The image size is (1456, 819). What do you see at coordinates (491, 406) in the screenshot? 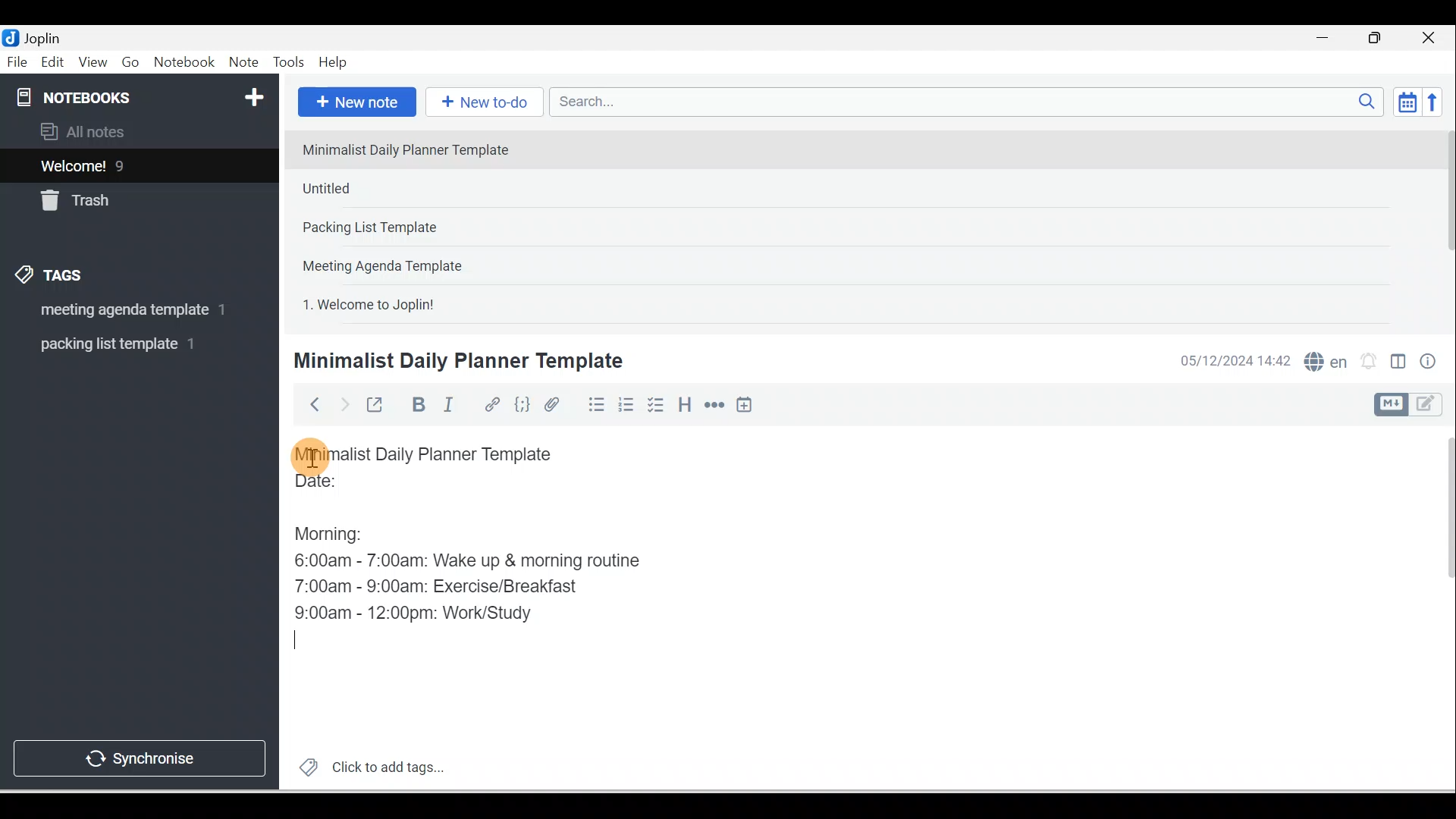
I see `Hyperlink` at bounding box center [491, 406].